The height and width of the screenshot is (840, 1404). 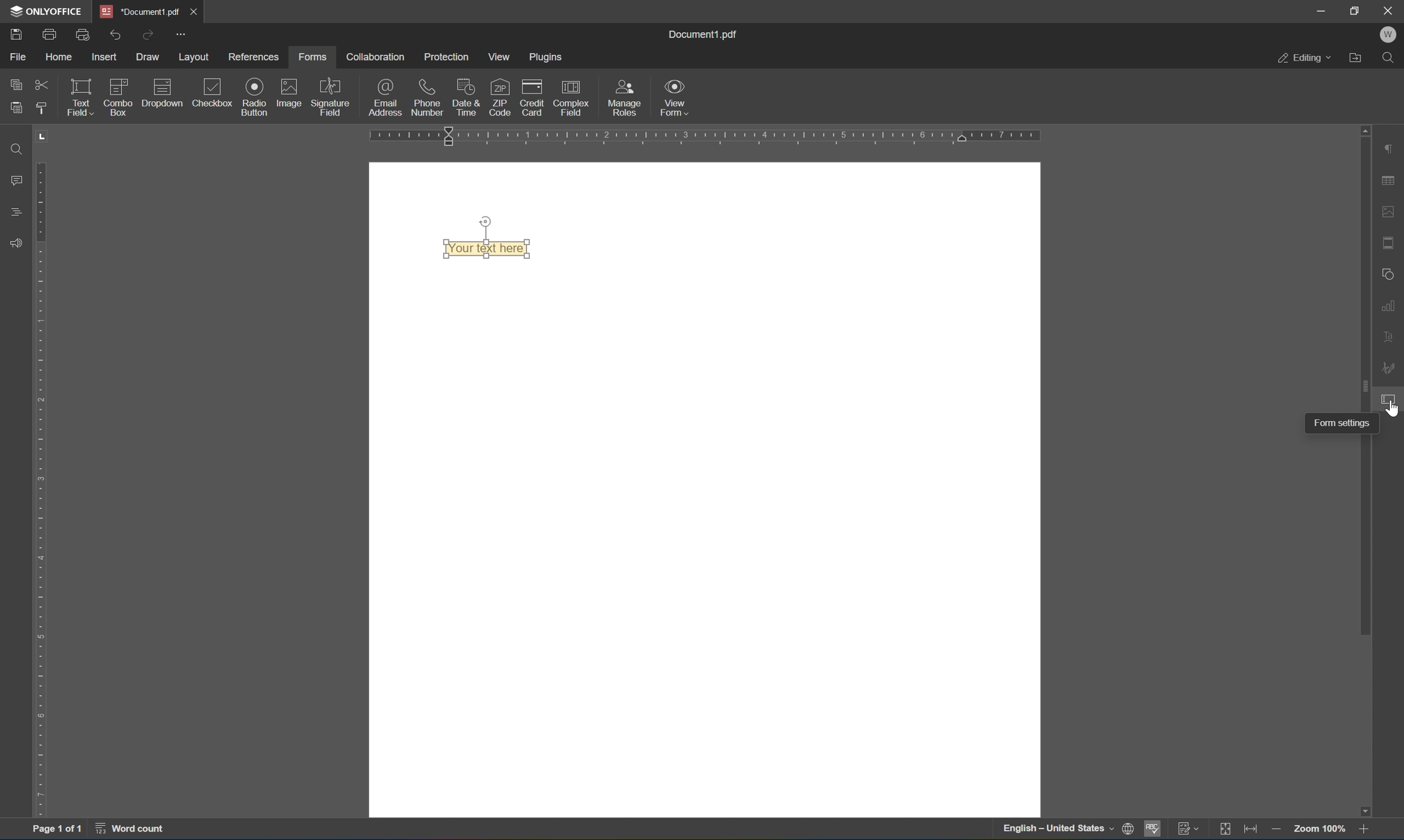 I want to click on header and footer settings, so click(x=1392, y=243).